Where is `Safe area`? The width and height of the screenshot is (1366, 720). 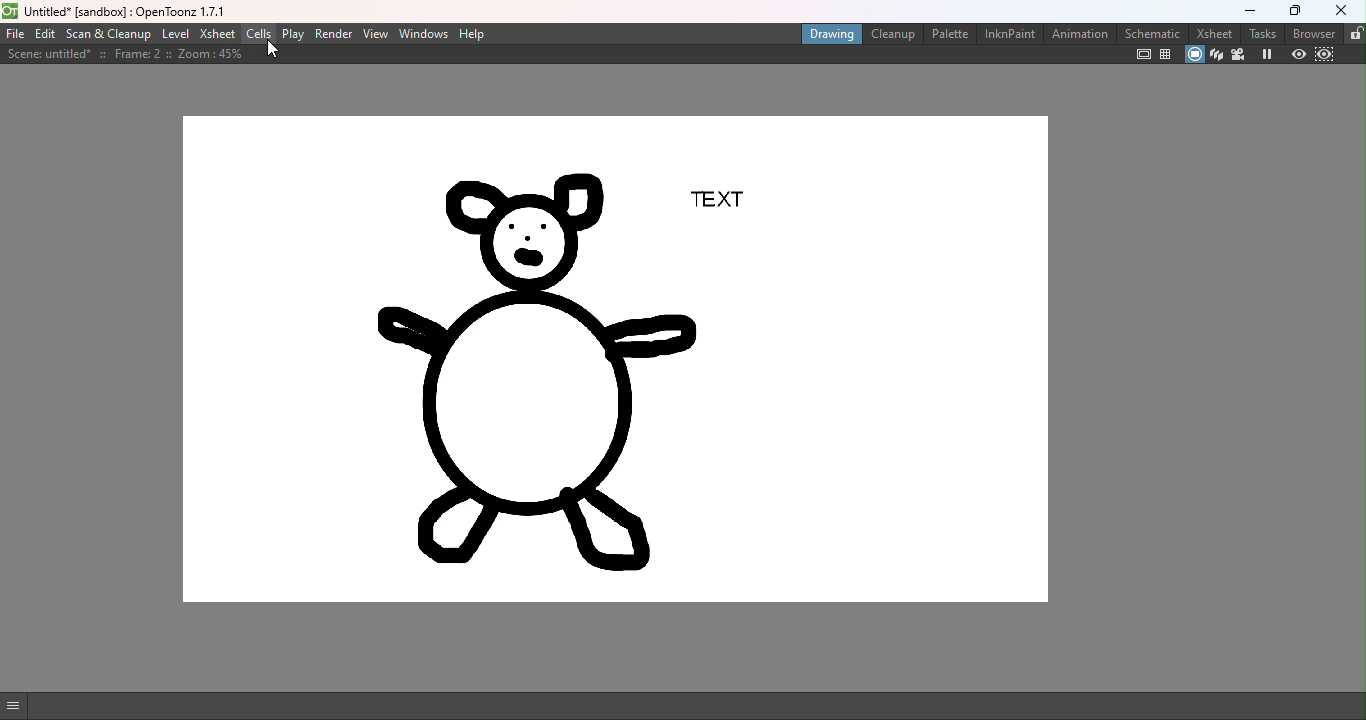
Safe area is located at coordinates (1141, 56).